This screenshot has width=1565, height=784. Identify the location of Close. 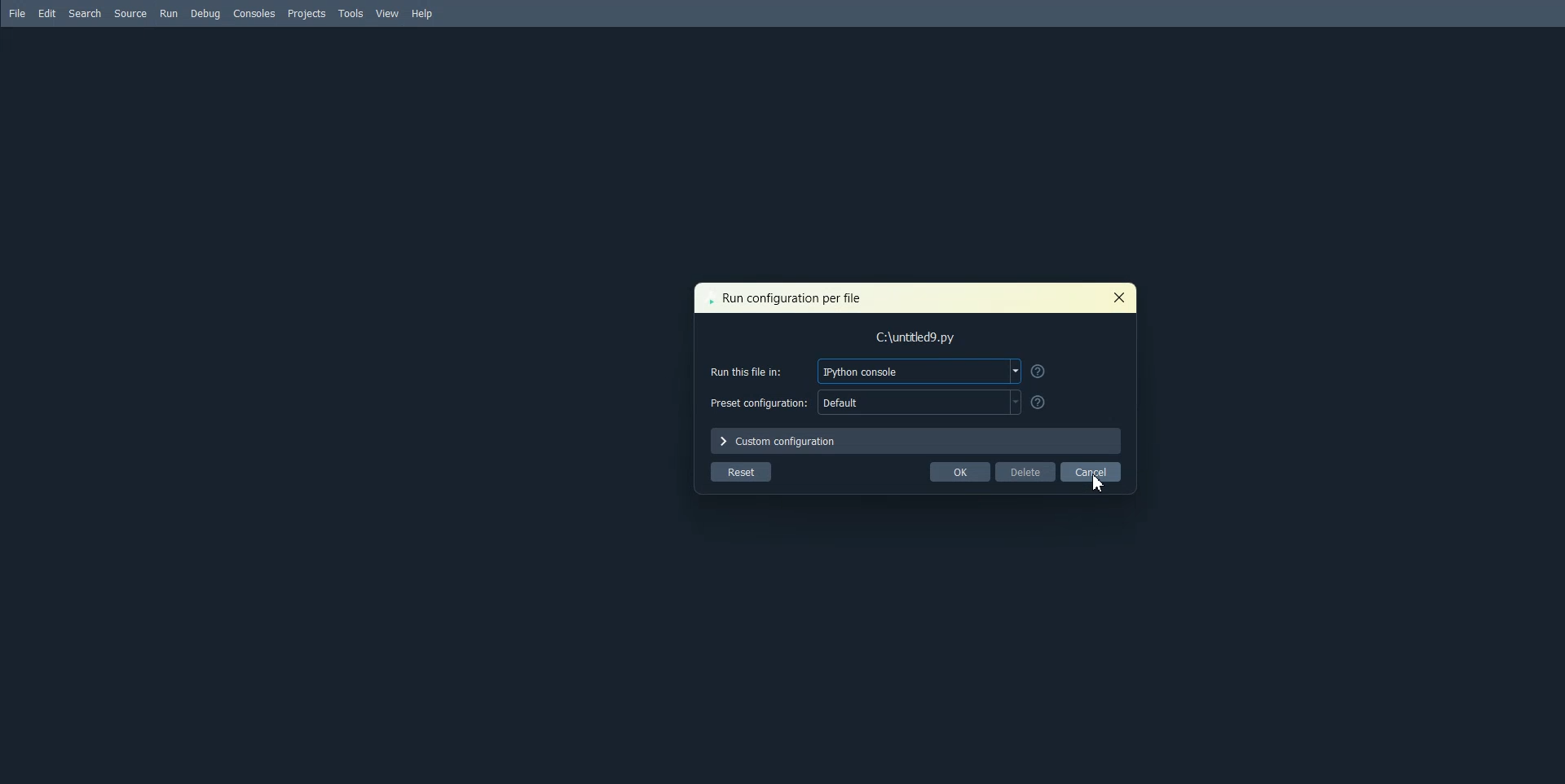
(1118, 297).